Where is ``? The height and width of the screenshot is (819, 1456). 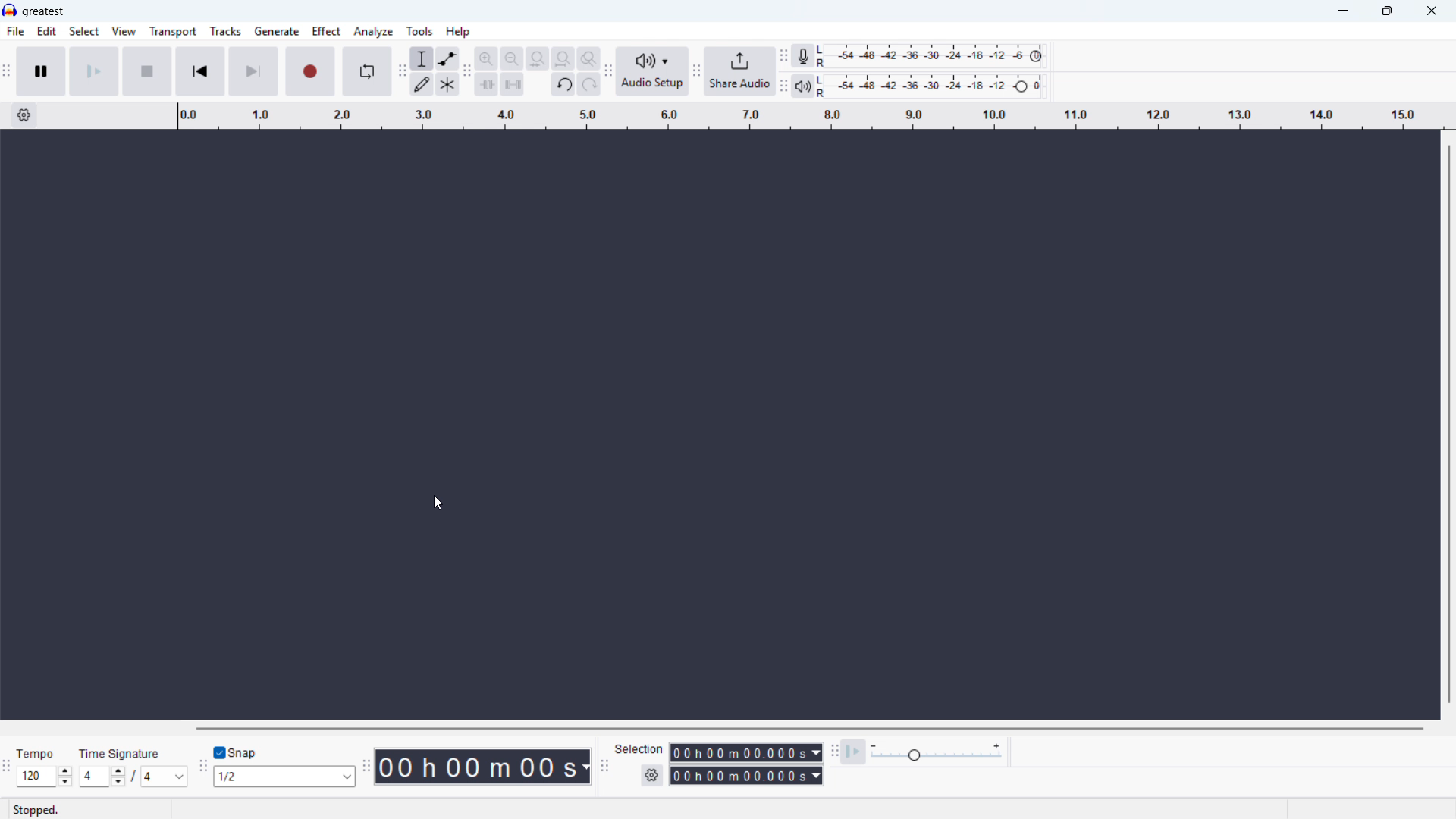  is located at coordinates (14, 30).